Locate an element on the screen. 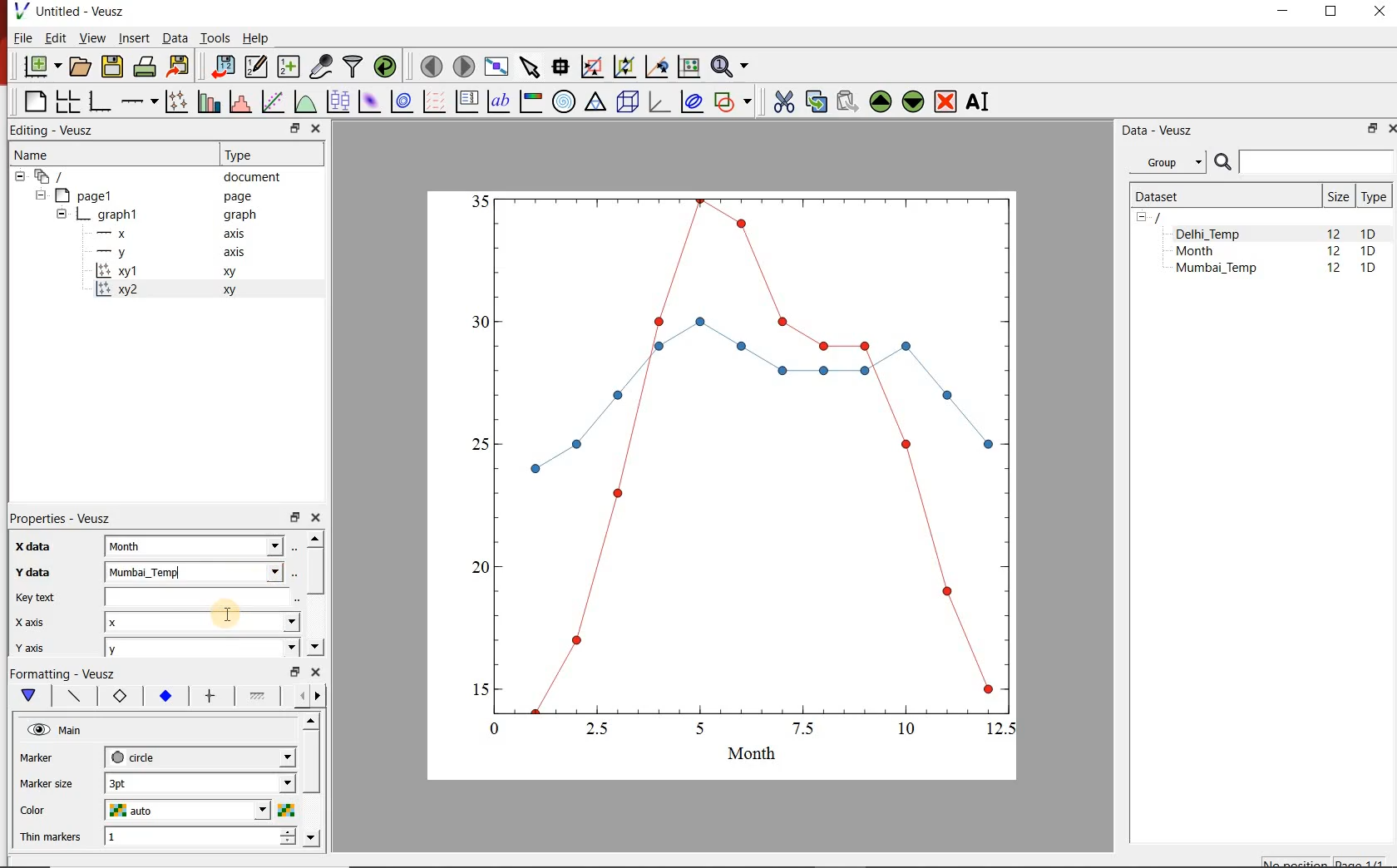 This screenshot has width=1397, height=868. Main formatting is located at coordinates (26, 696).